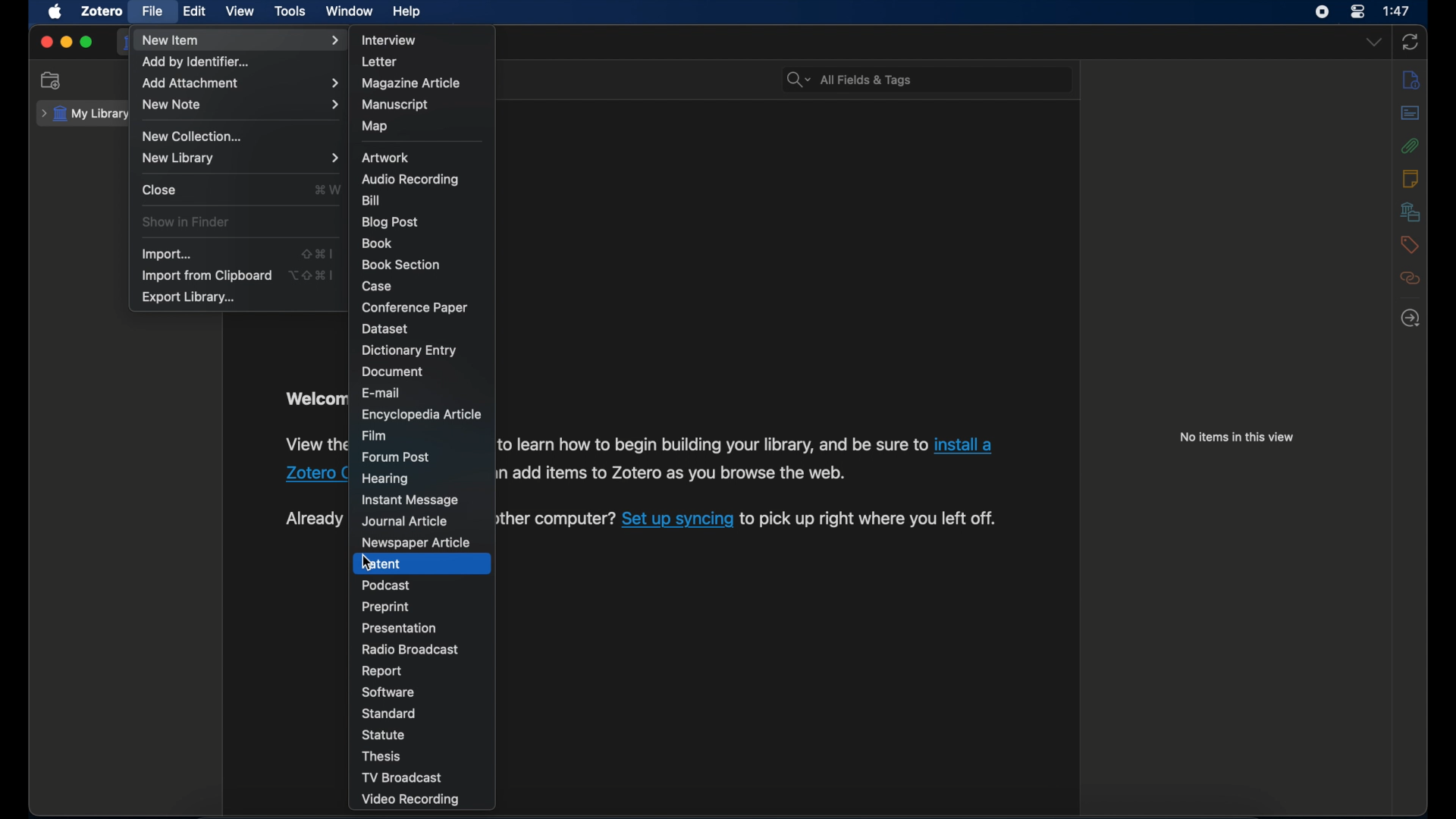  Describe the element at coordinates (1374, 42) in the screenshot. I see `dropdown` at that location.